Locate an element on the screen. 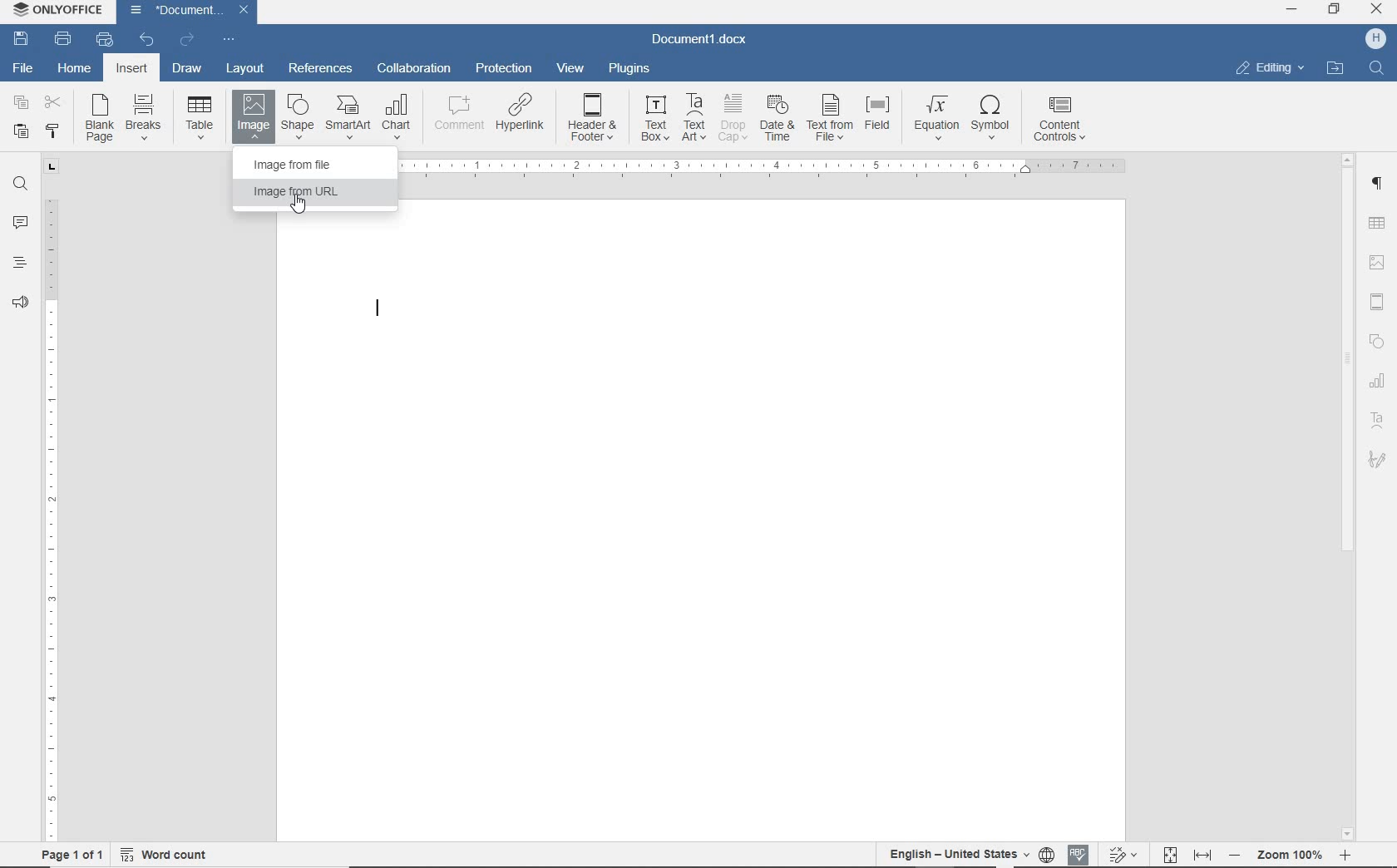 The image size is (1397, 868). collaboration is located at coordinates (415, 67).